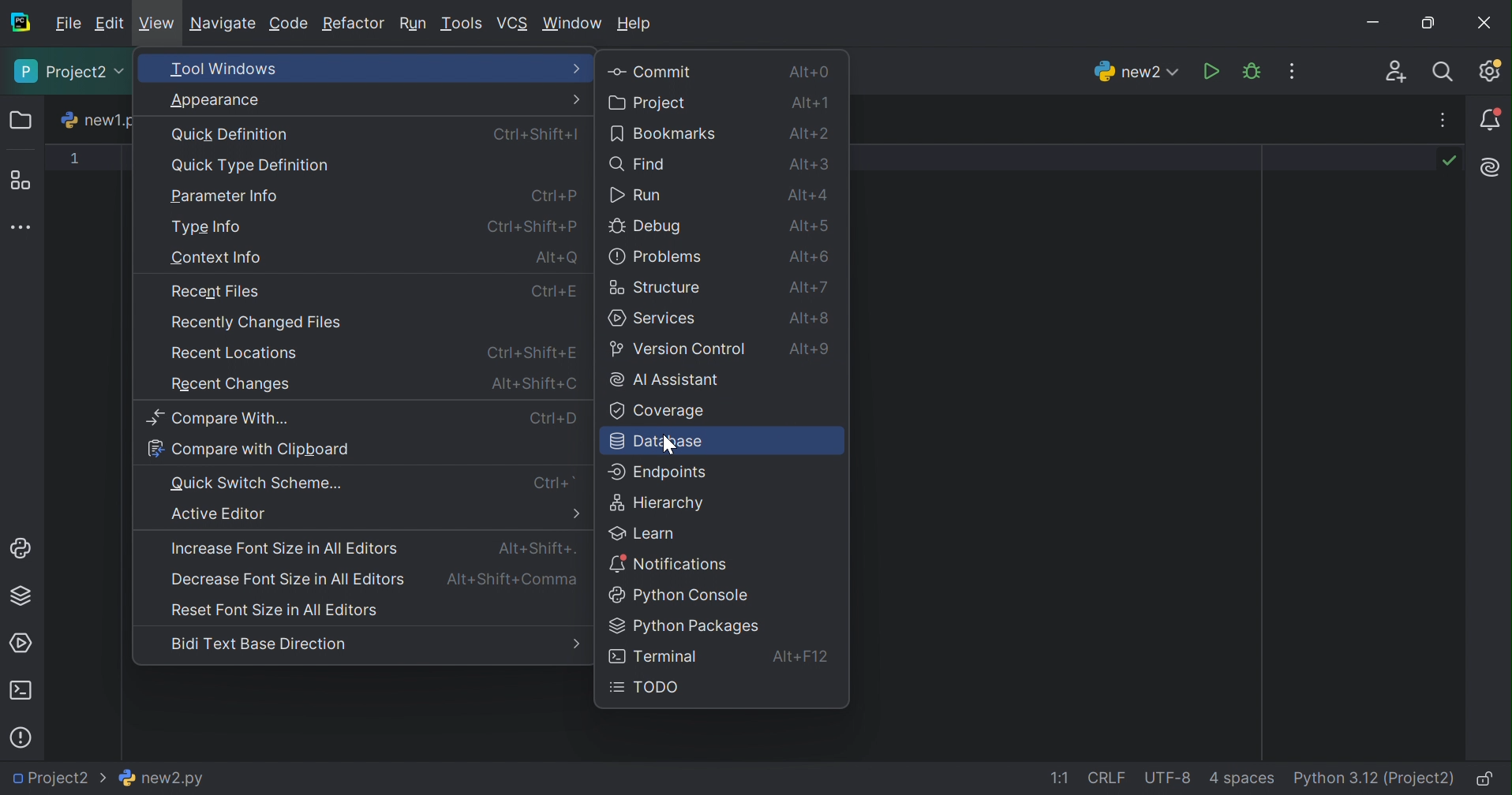 This screenshot has width=1512, height=795. I want to click on Decrease font size in all editors, so click(288, 579).